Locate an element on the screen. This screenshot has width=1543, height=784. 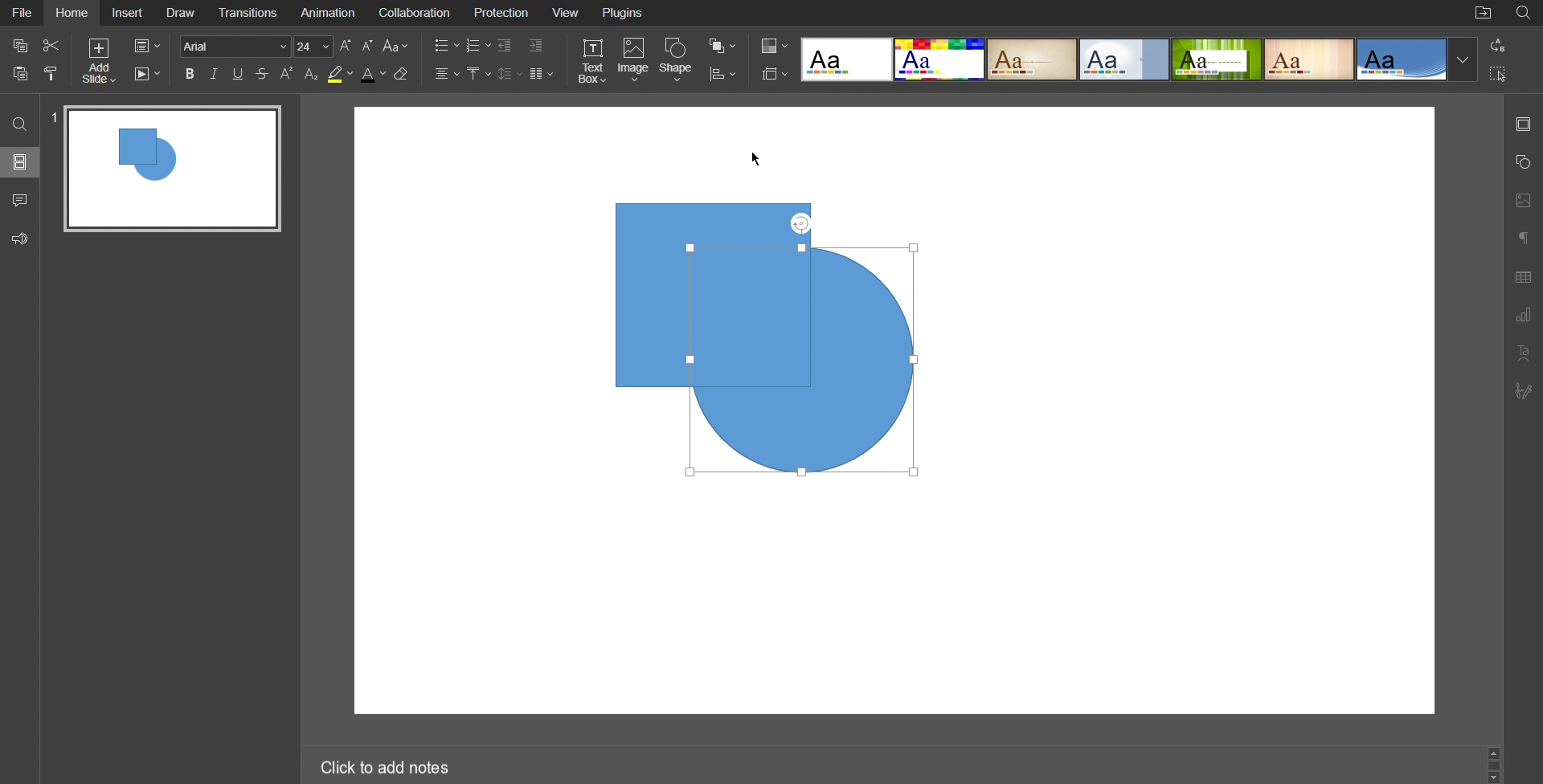
Signature is located at coordinates (1522, 390).